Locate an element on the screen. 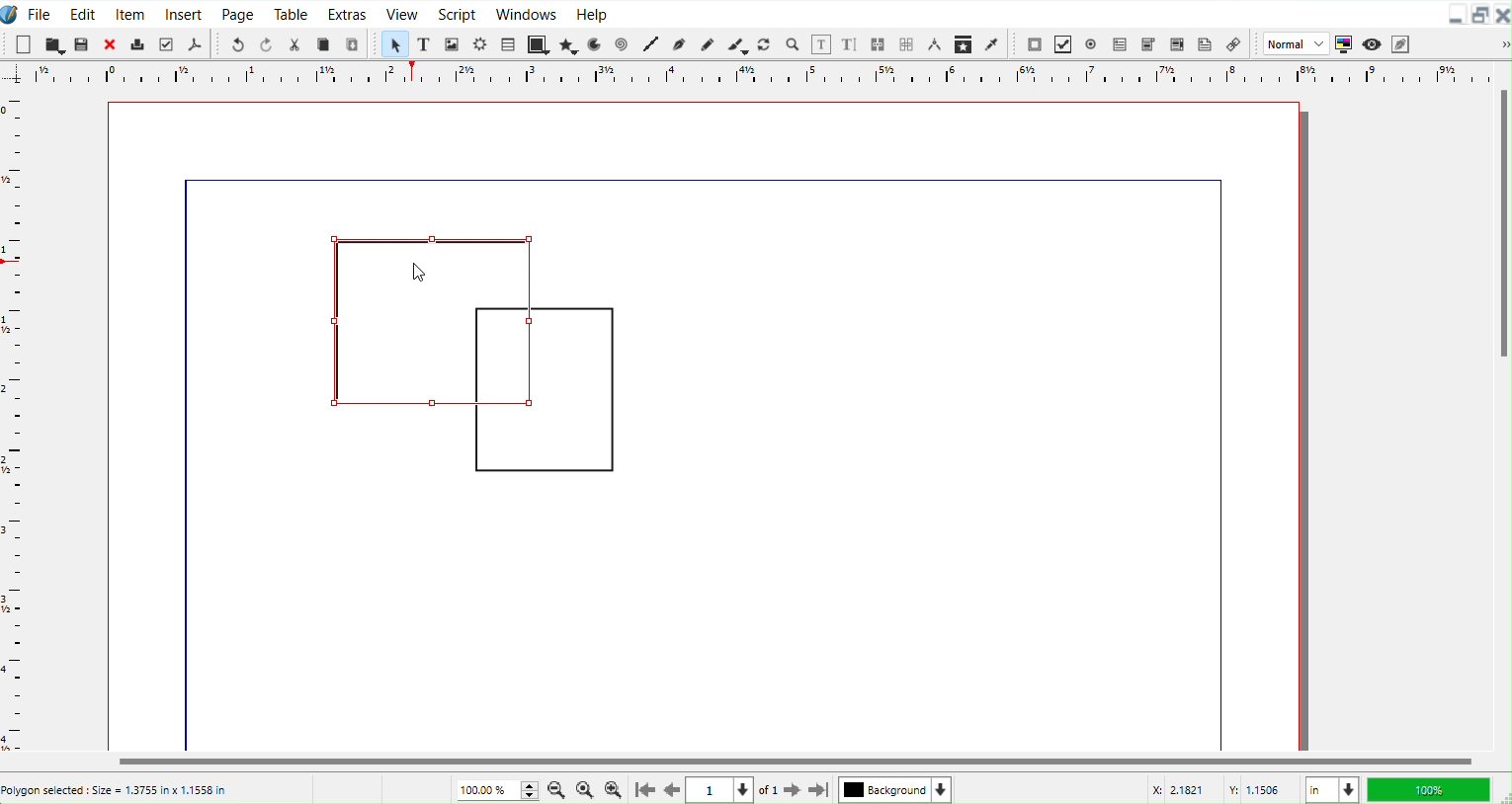 The image size is (1512, 804). Horizontal Scroll bar is located at coordinates (755, 762).